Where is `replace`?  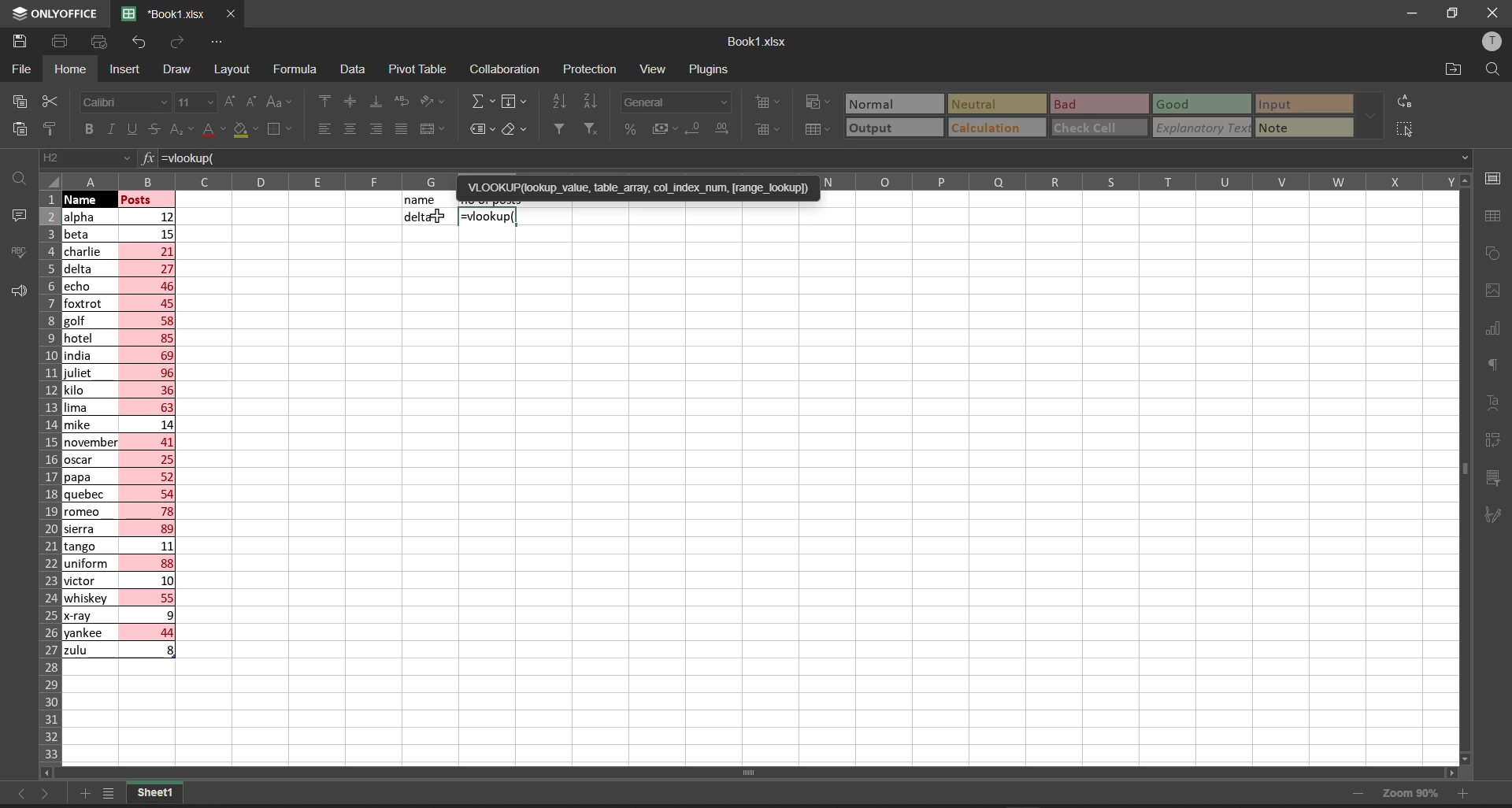 replace is located at coordinates (1406, 101).